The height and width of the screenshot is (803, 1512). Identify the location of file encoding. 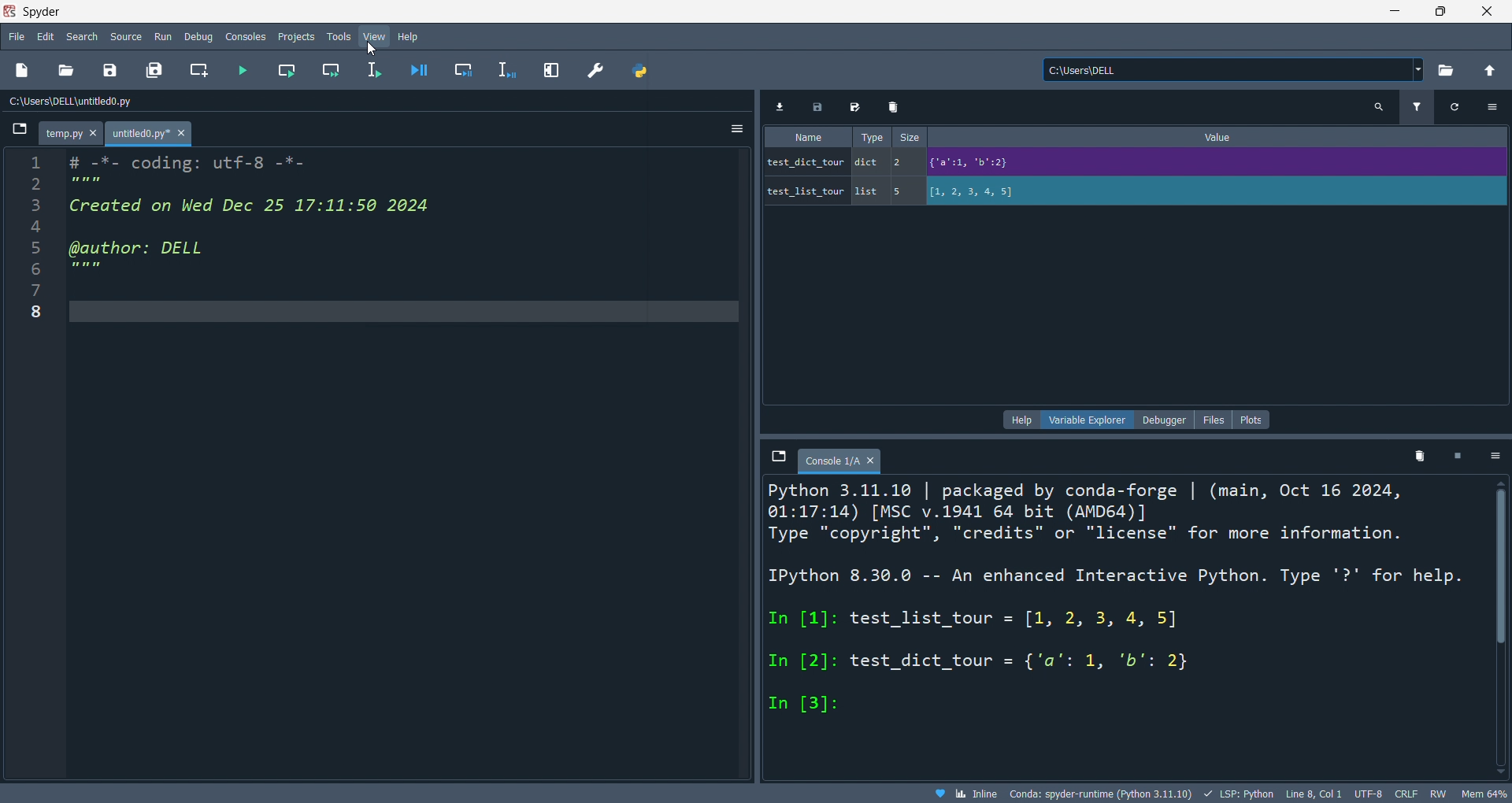
(1367, 794).